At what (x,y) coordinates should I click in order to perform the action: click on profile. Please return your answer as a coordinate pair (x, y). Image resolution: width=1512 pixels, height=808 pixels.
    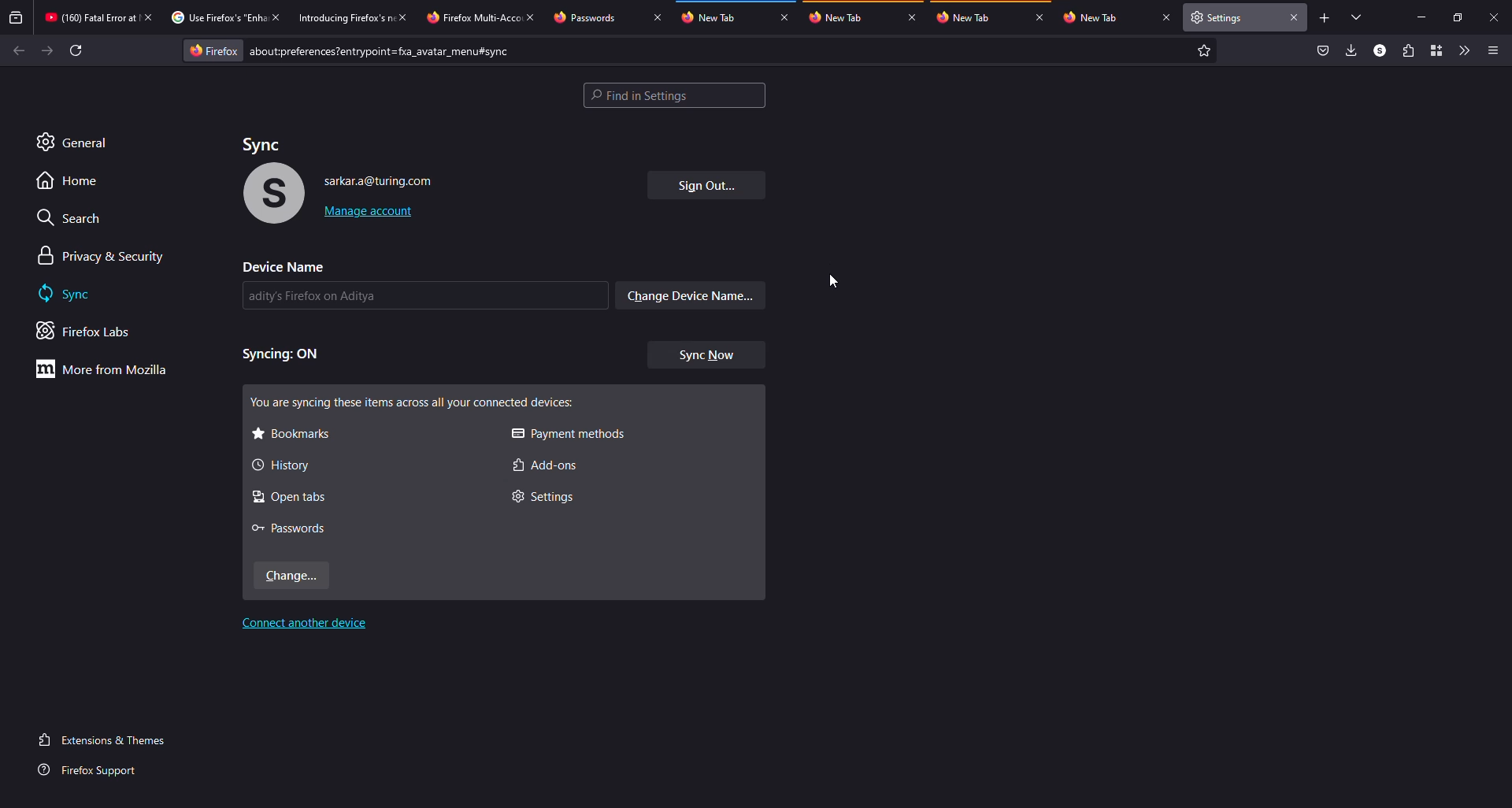
    Looking at the image, I should click on (274, 193).